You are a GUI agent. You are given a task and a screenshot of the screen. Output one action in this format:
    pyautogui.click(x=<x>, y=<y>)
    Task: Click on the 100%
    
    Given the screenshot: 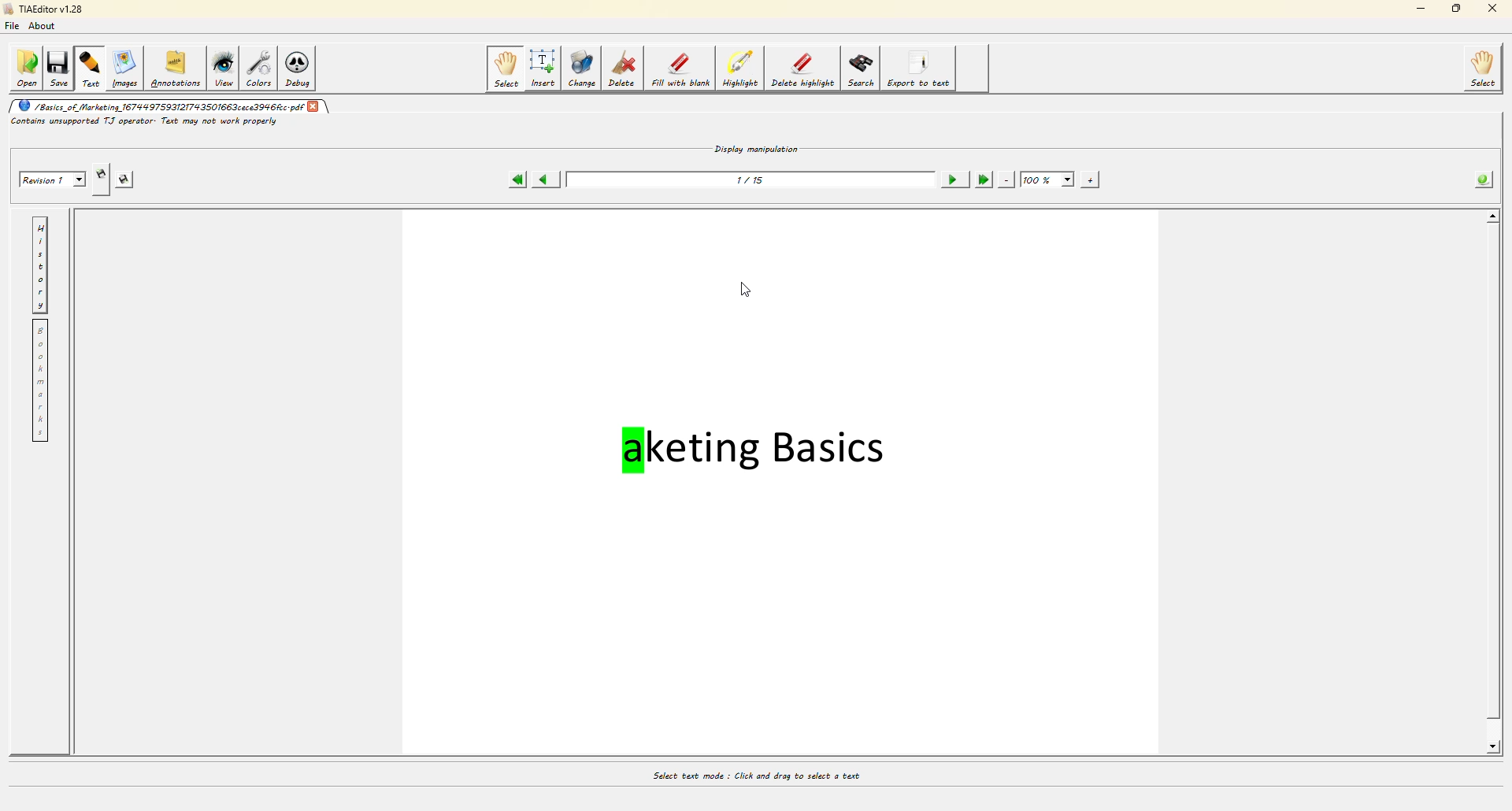 What is the action you would take?
    pyautogui.click(x=1047, y=179)
    